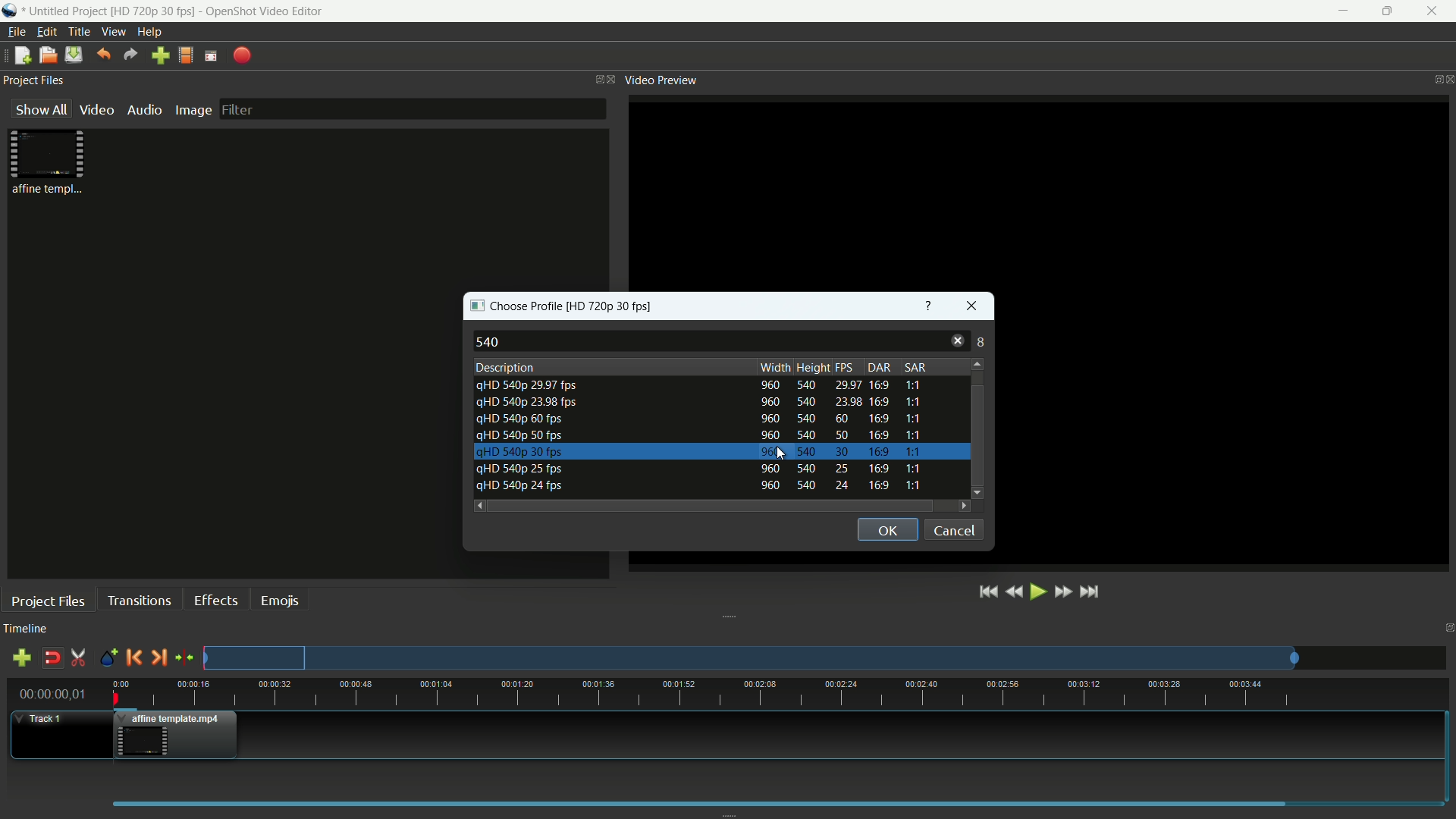  I want to click on close project files, so click(613, 79).